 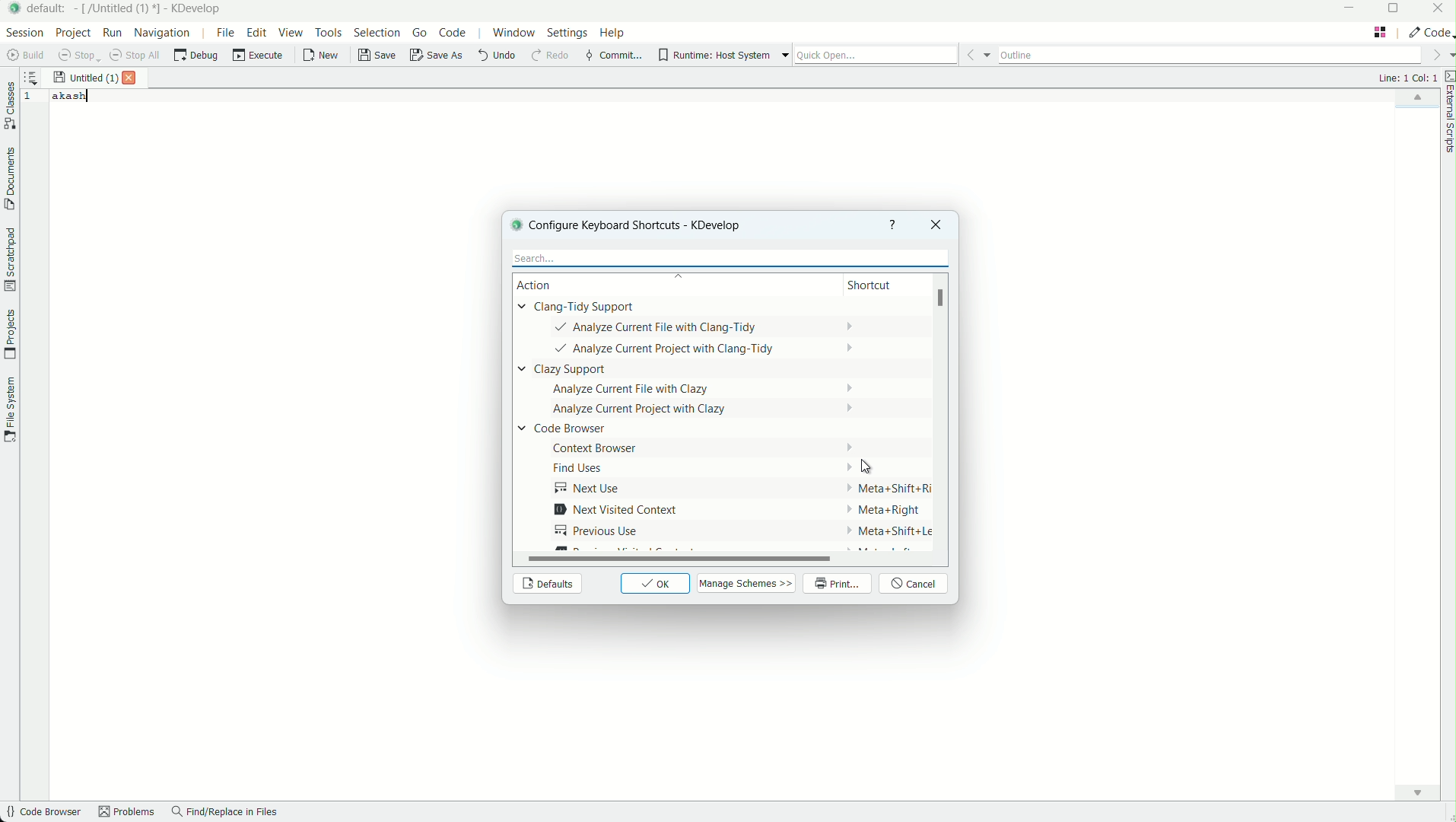 I want to click on defaults, so click(x=546, y=585).